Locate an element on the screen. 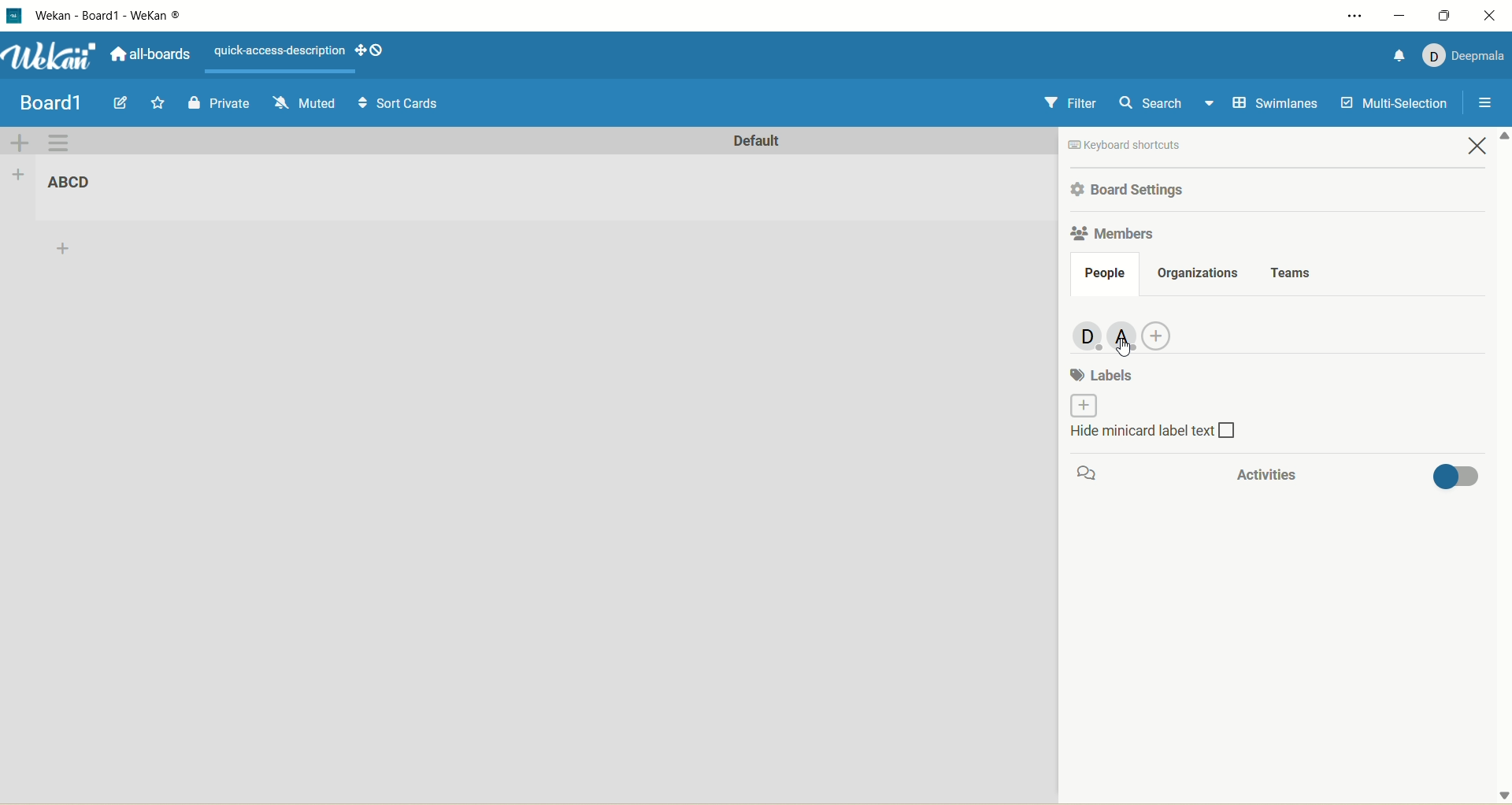  toggle is located at coordinates (1456, 480).